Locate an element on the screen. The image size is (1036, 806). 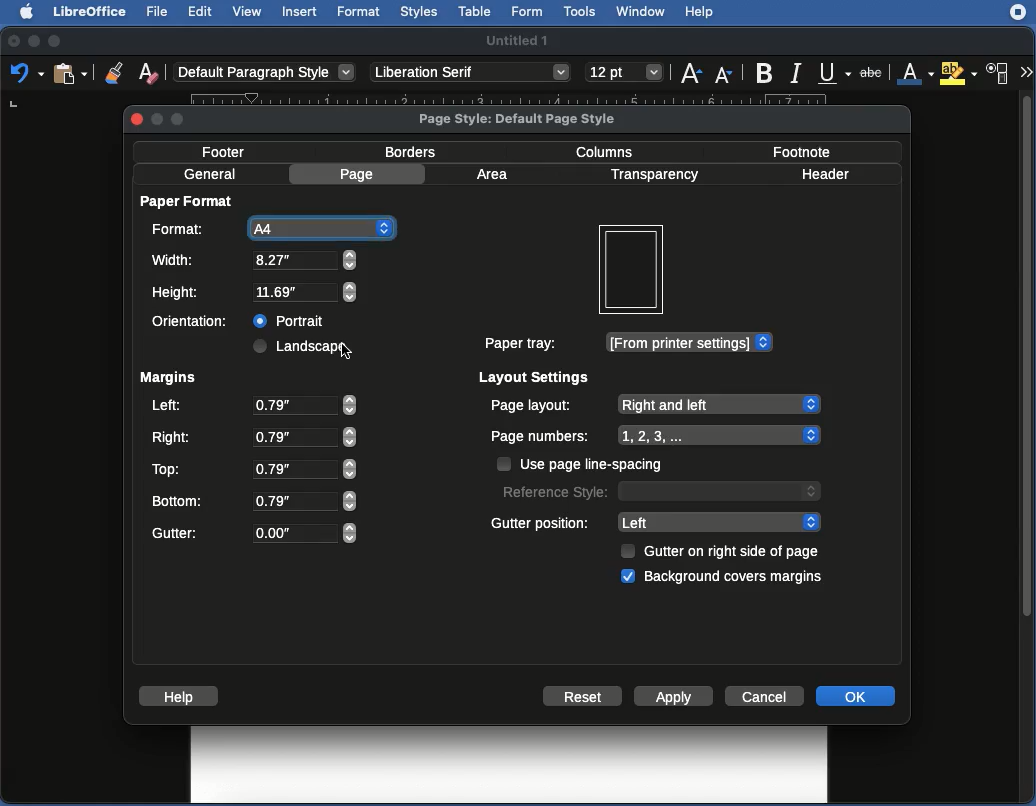
Orientation  is located at coordinates (192, 323).